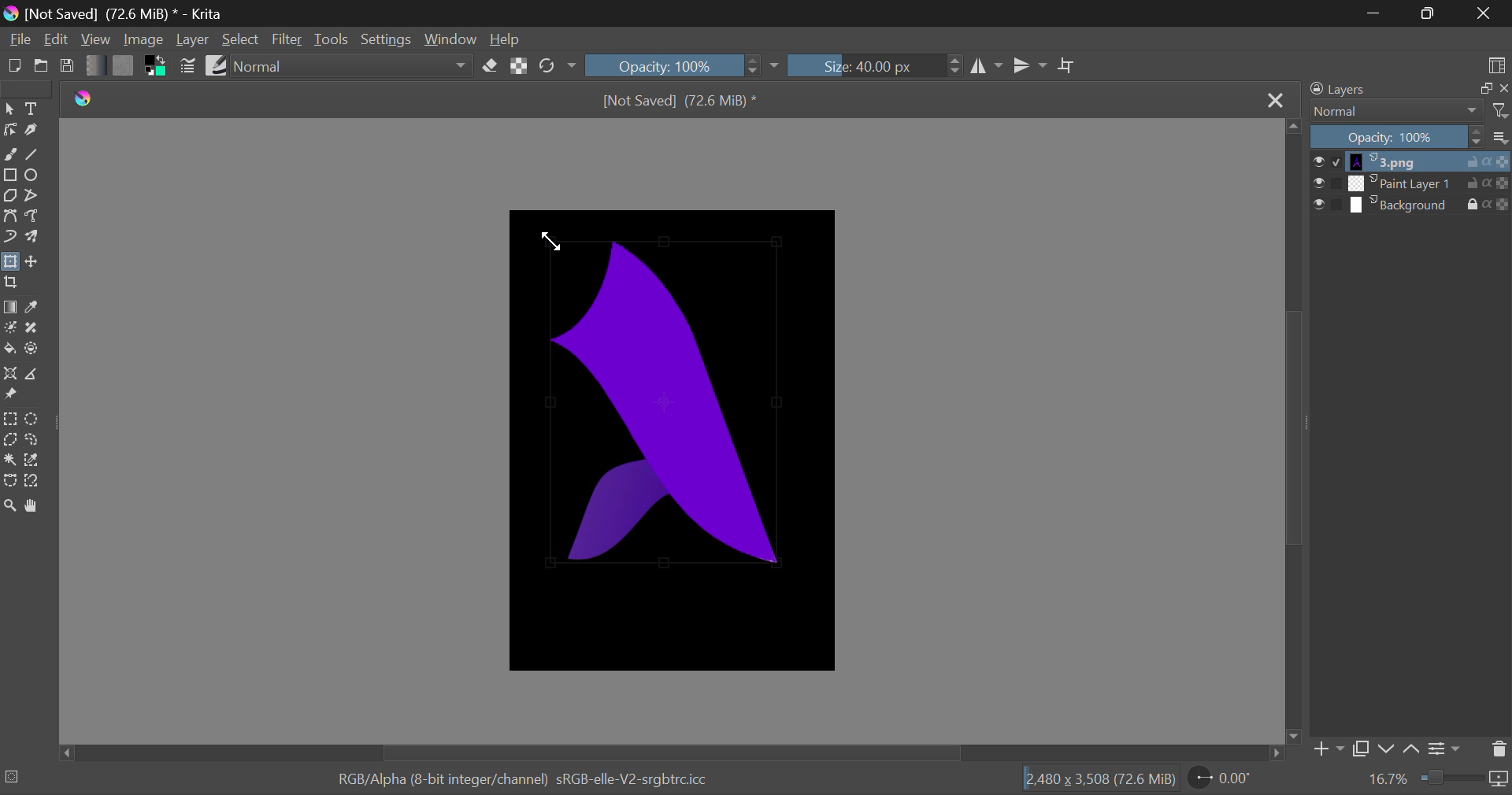  I want to click on layer 3, so click(1401, 203).